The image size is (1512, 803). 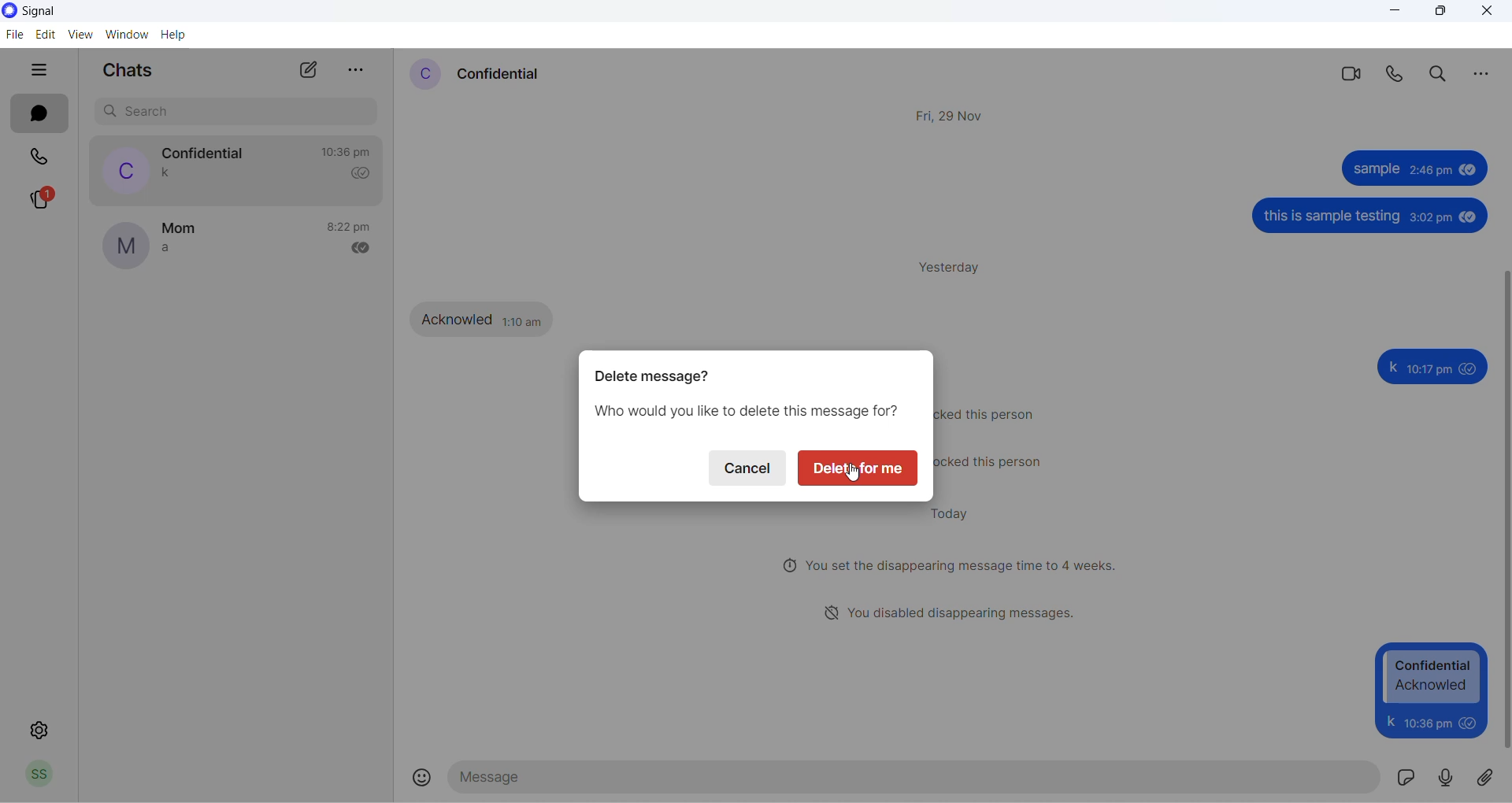 What do you see at coordinates (946, 568) in the screenshot?
I see `disappearing messages notification` at bounding box center [946, 568].